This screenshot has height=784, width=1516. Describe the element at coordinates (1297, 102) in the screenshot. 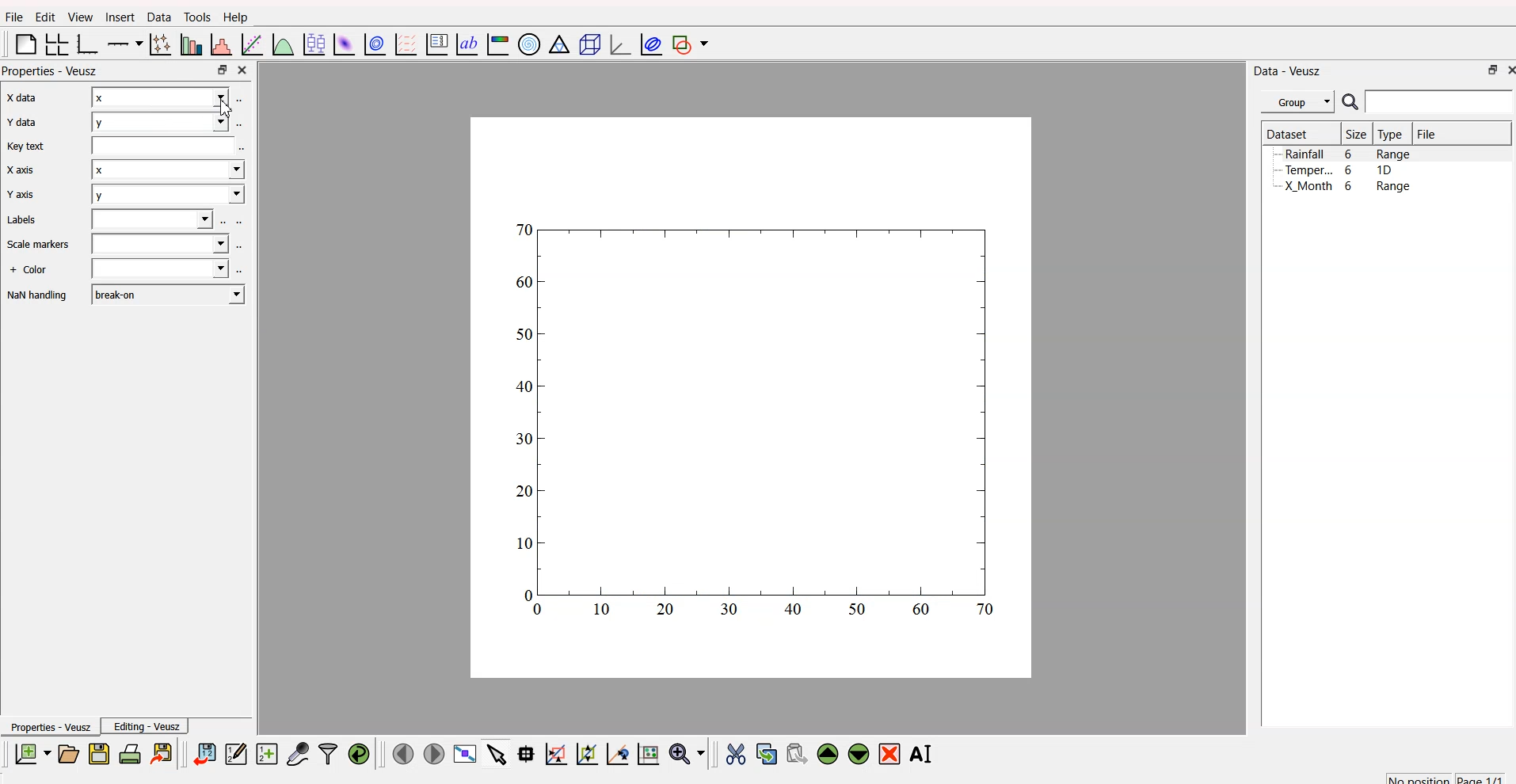

I see `Group` at that location.